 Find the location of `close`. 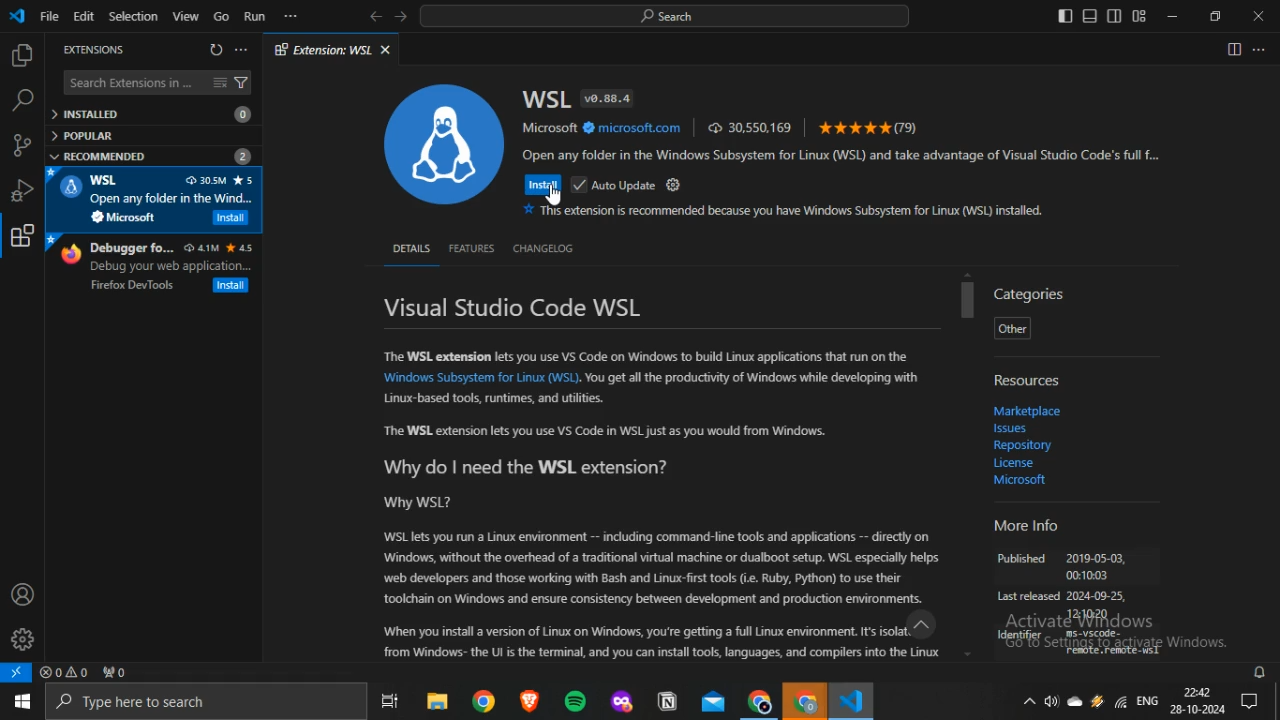

close is located at coordinates (385, 50).